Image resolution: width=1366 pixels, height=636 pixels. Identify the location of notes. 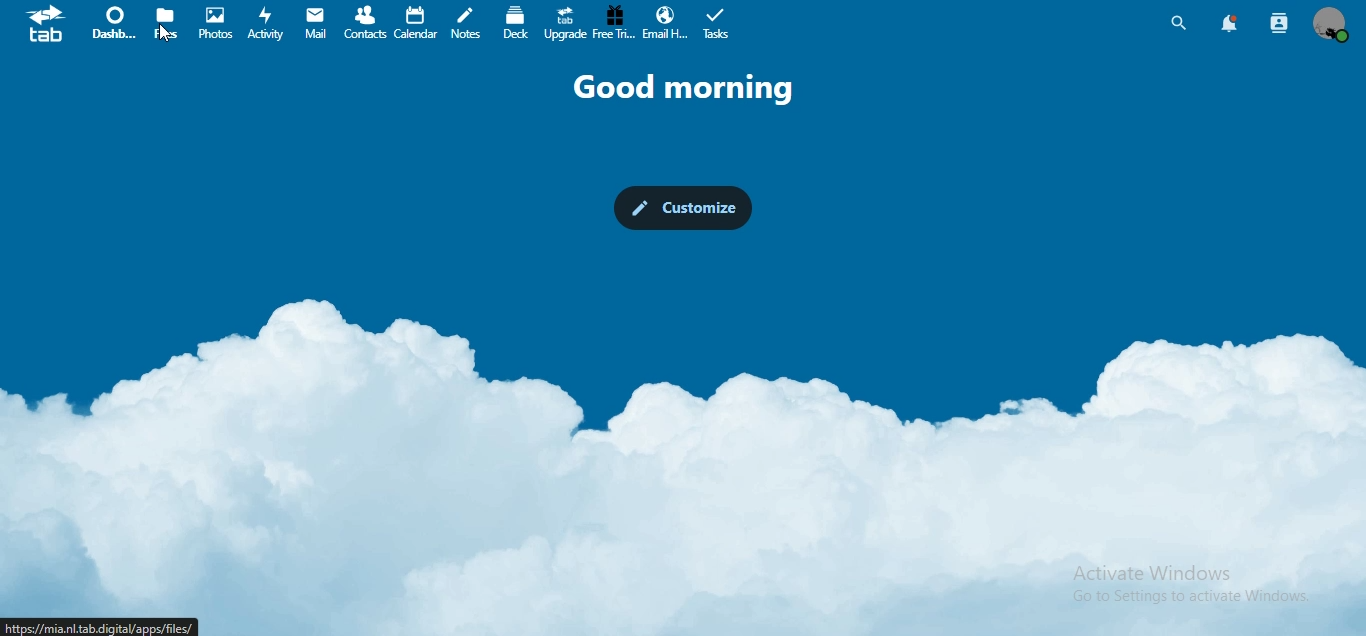
(465, 24).